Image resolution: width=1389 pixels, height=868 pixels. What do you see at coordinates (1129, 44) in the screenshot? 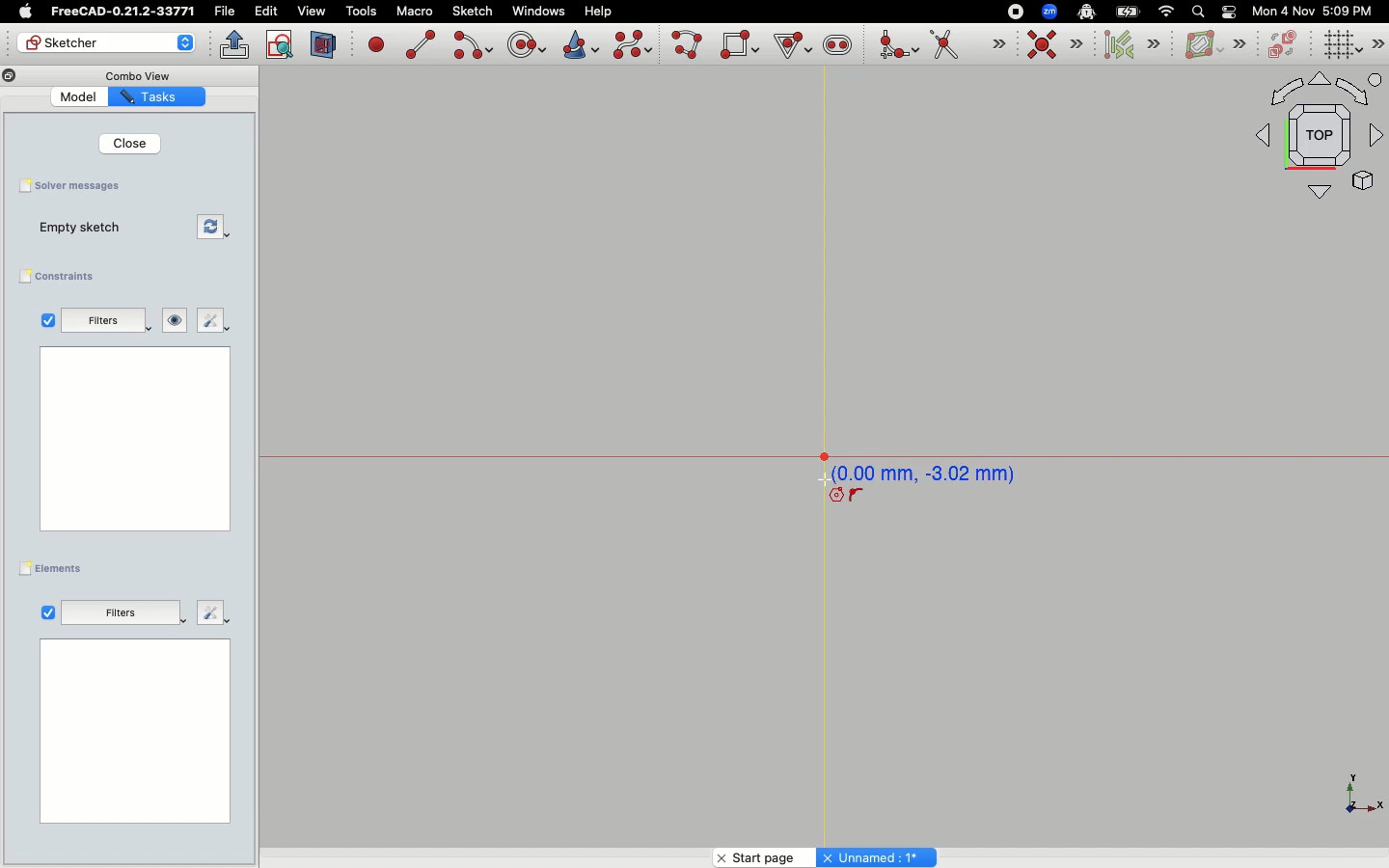
I see `Select associated constraints` at bounding box center [1129, 44].